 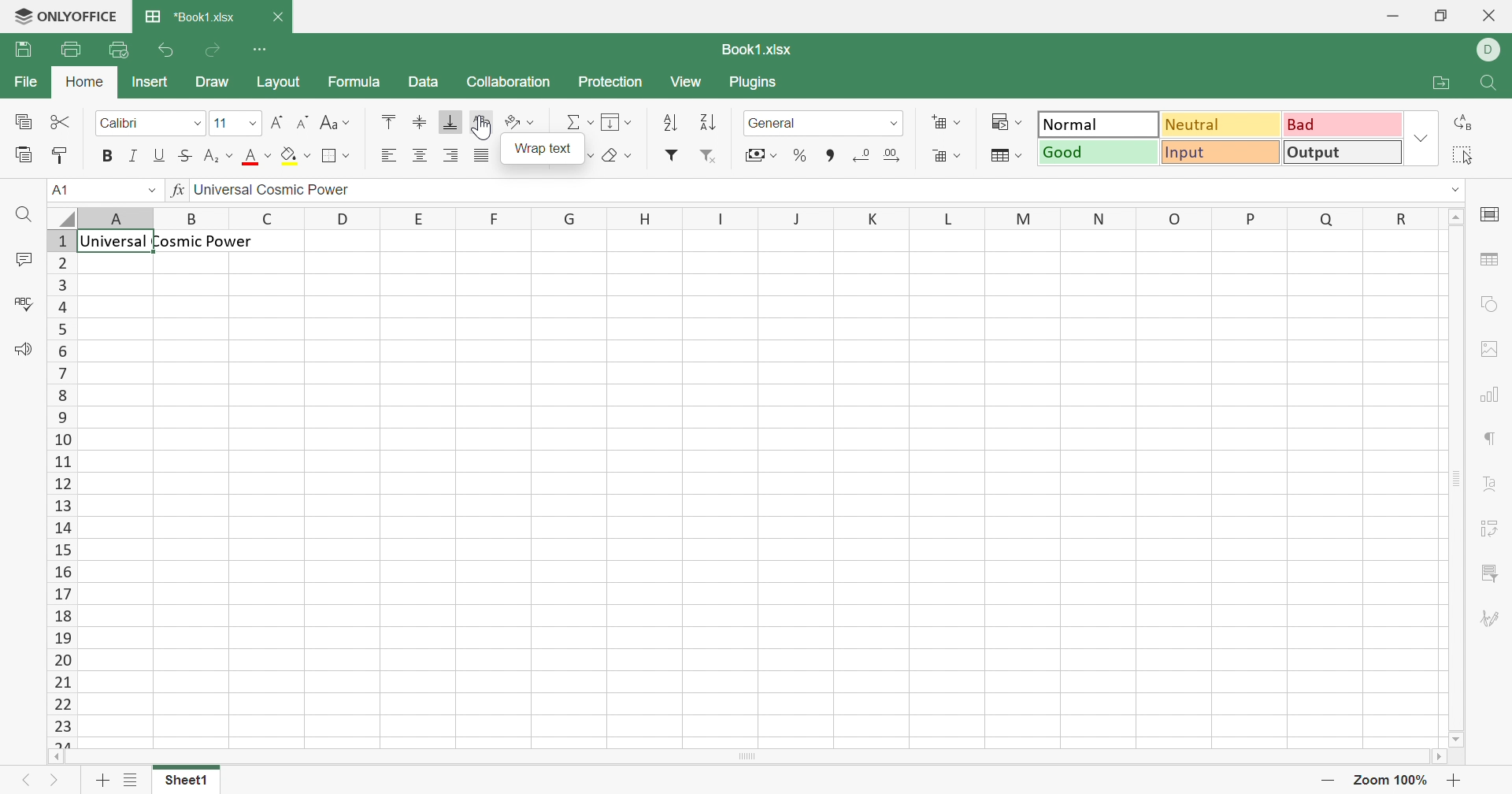 I want to click on Draw, so click(x=213, y=86).